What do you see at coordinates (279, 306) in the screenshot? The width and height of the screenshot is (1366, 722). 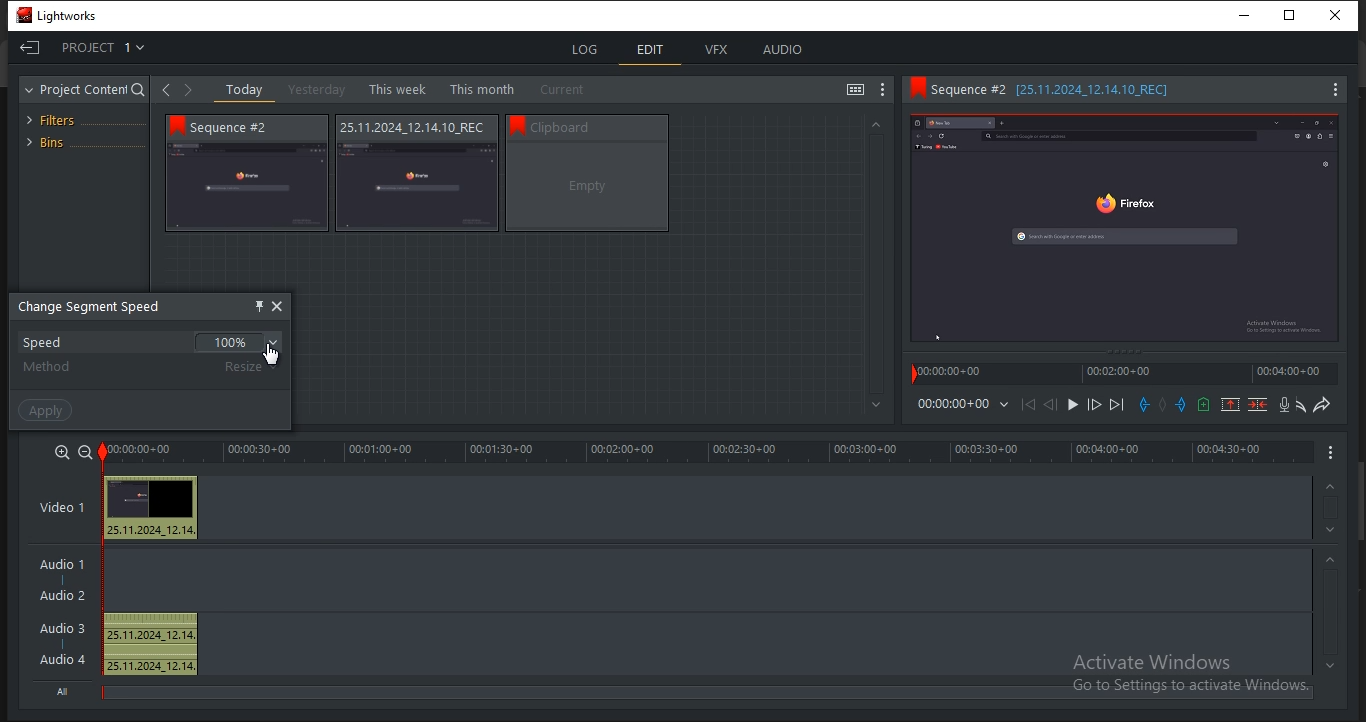 I see `close` at bounding box center [279, 306].